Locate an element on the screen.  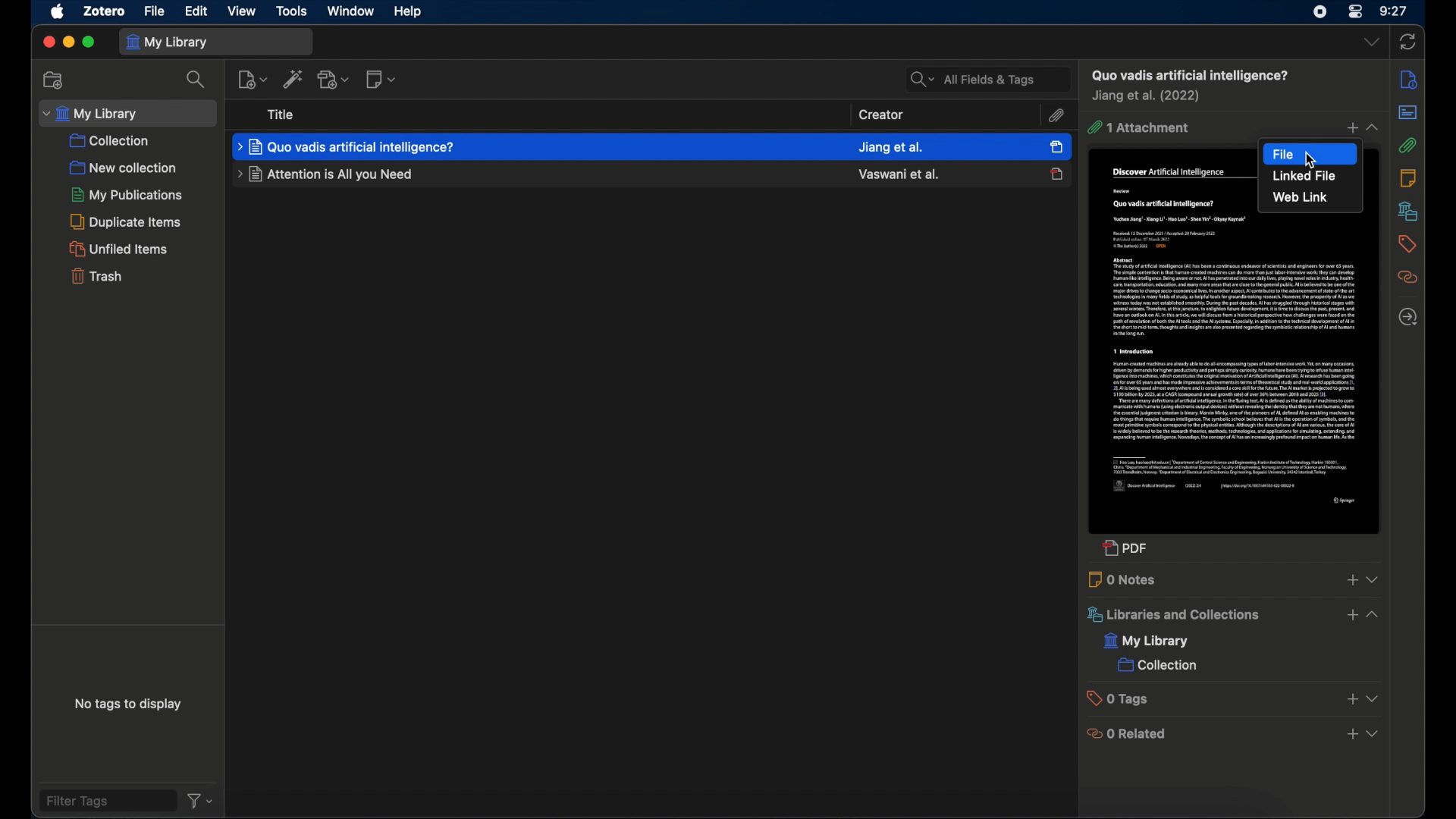
attachments is located at coordinates (1407, 146).